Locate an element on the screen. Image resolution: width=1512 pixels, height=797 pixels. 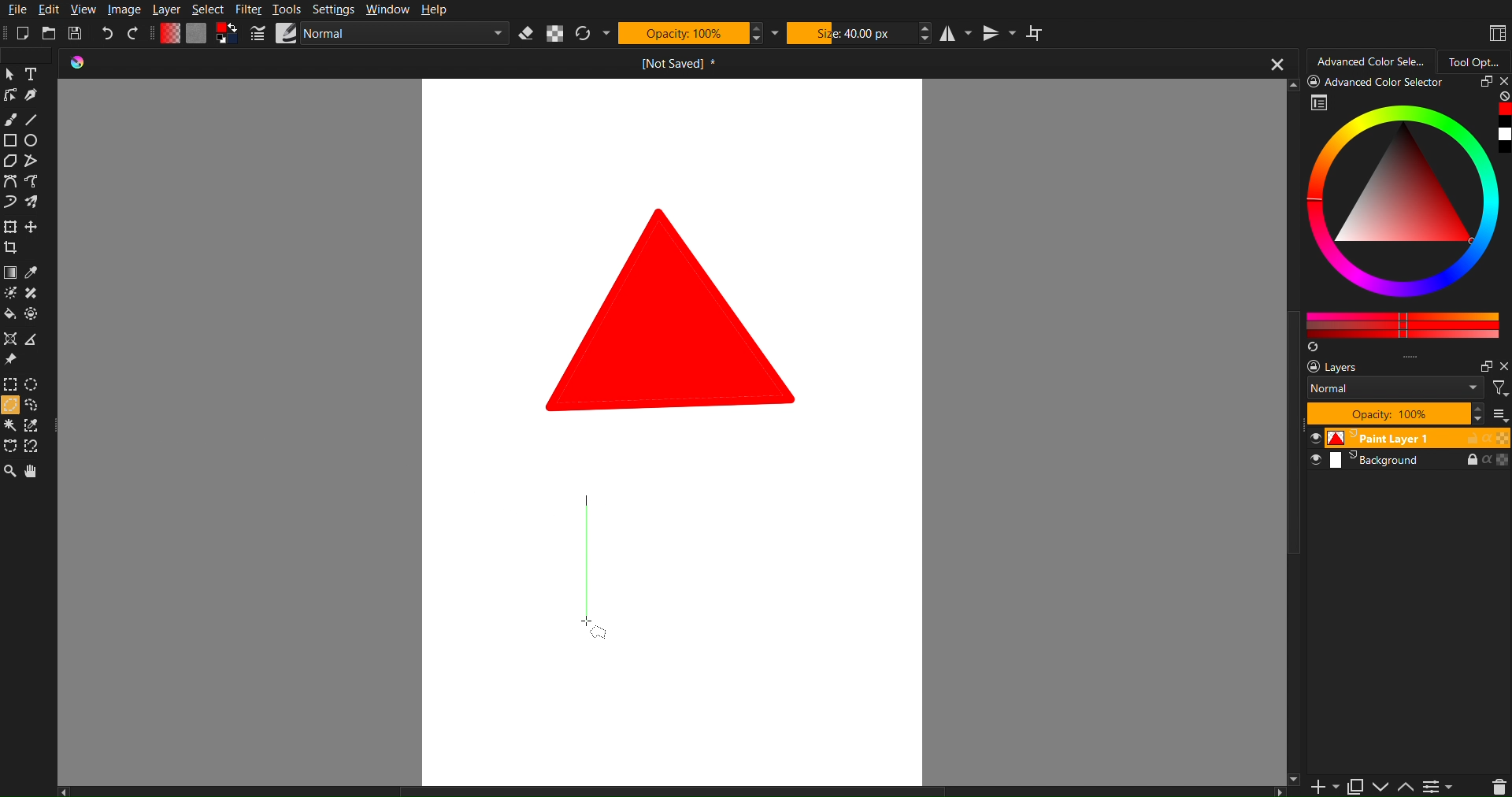
Color Settings is located at coordinates (198, 35).